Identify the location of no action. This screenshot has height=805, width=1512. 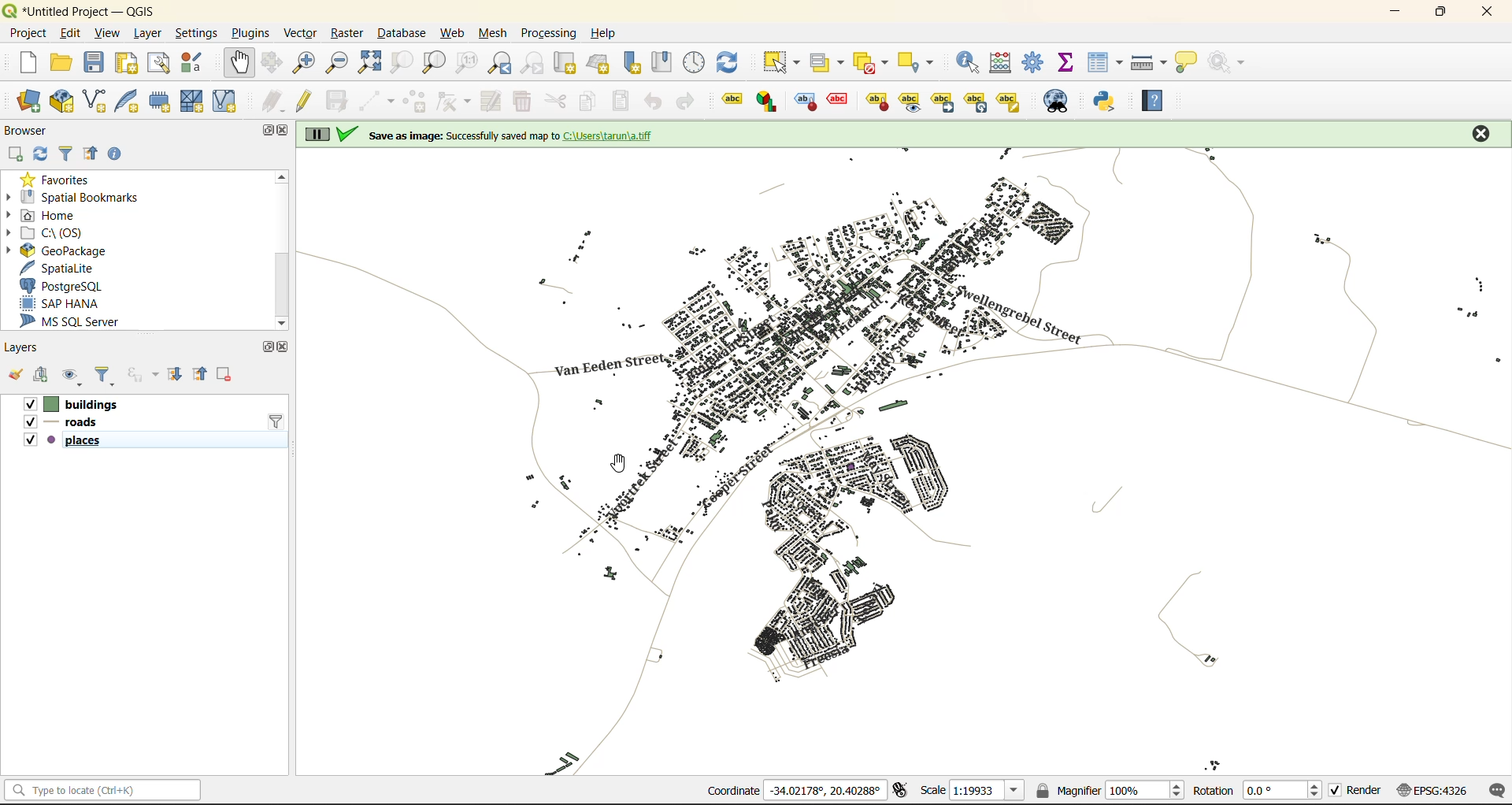
(1230, 62).